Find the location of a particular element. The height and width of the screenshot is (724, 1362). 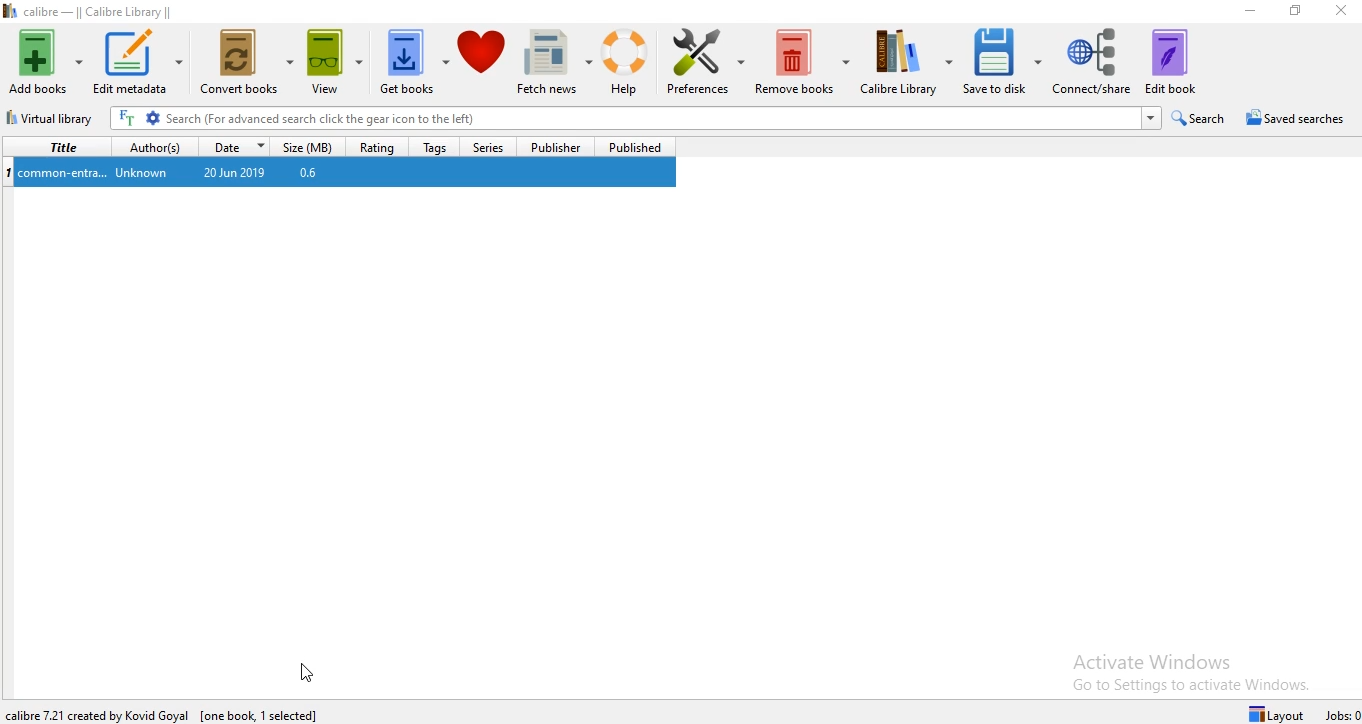

Author(s) is located at coordinates (159, 146).